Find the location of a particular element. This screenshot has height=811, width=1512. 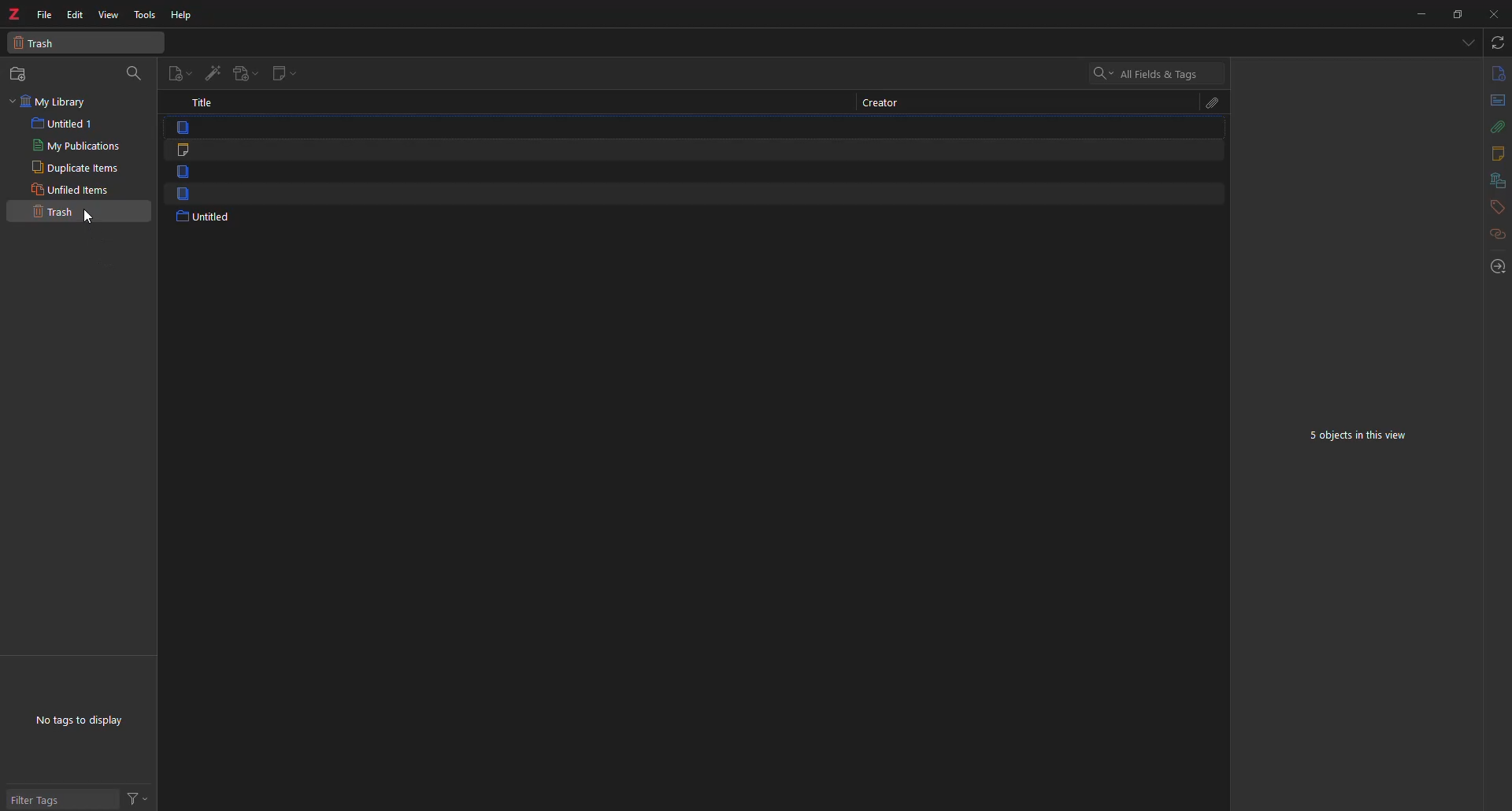

abstract is located at coordinates (1497, 102).